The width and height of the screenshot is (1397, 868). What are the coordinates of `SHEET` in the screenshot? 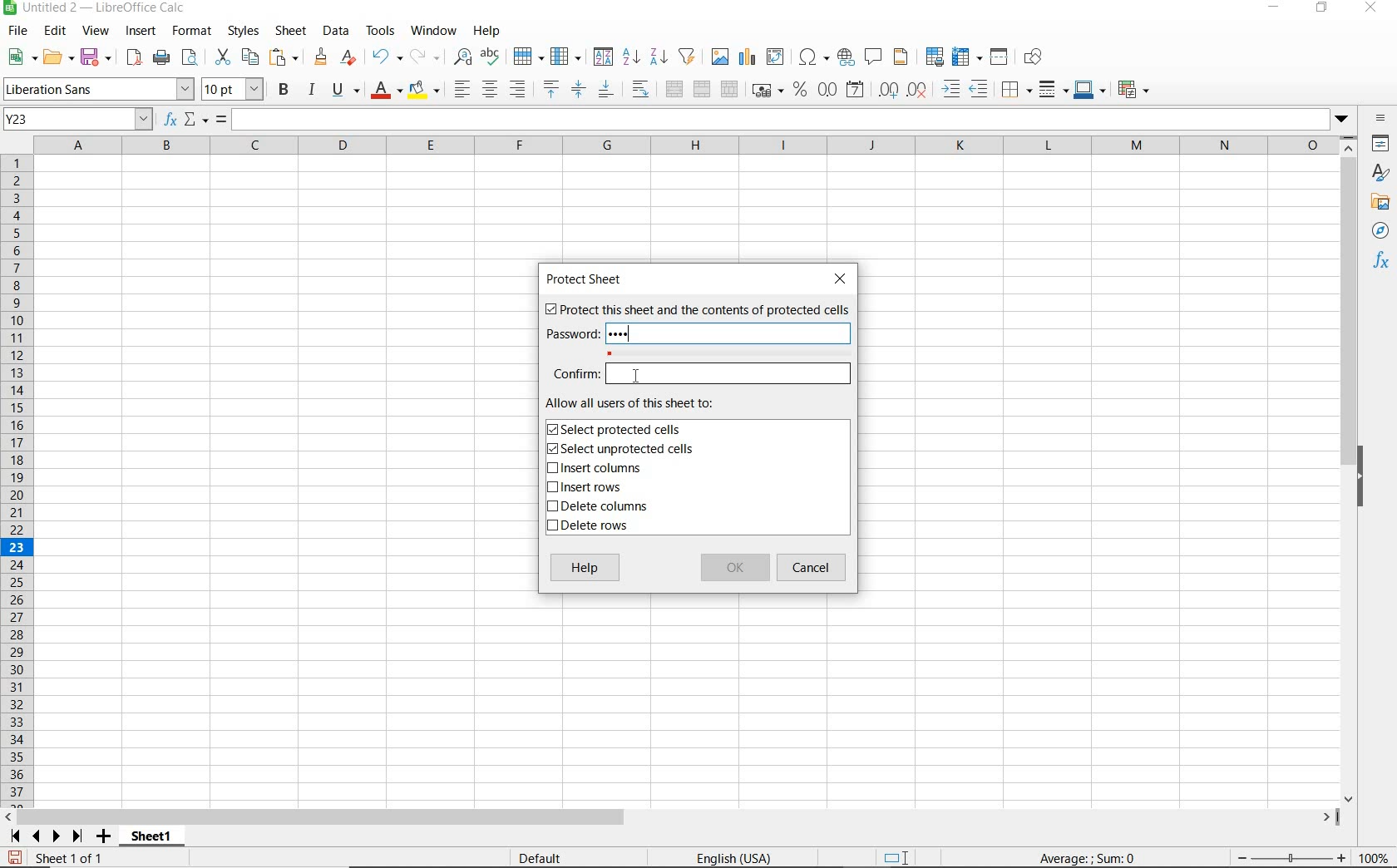 It's located at (289, 32).